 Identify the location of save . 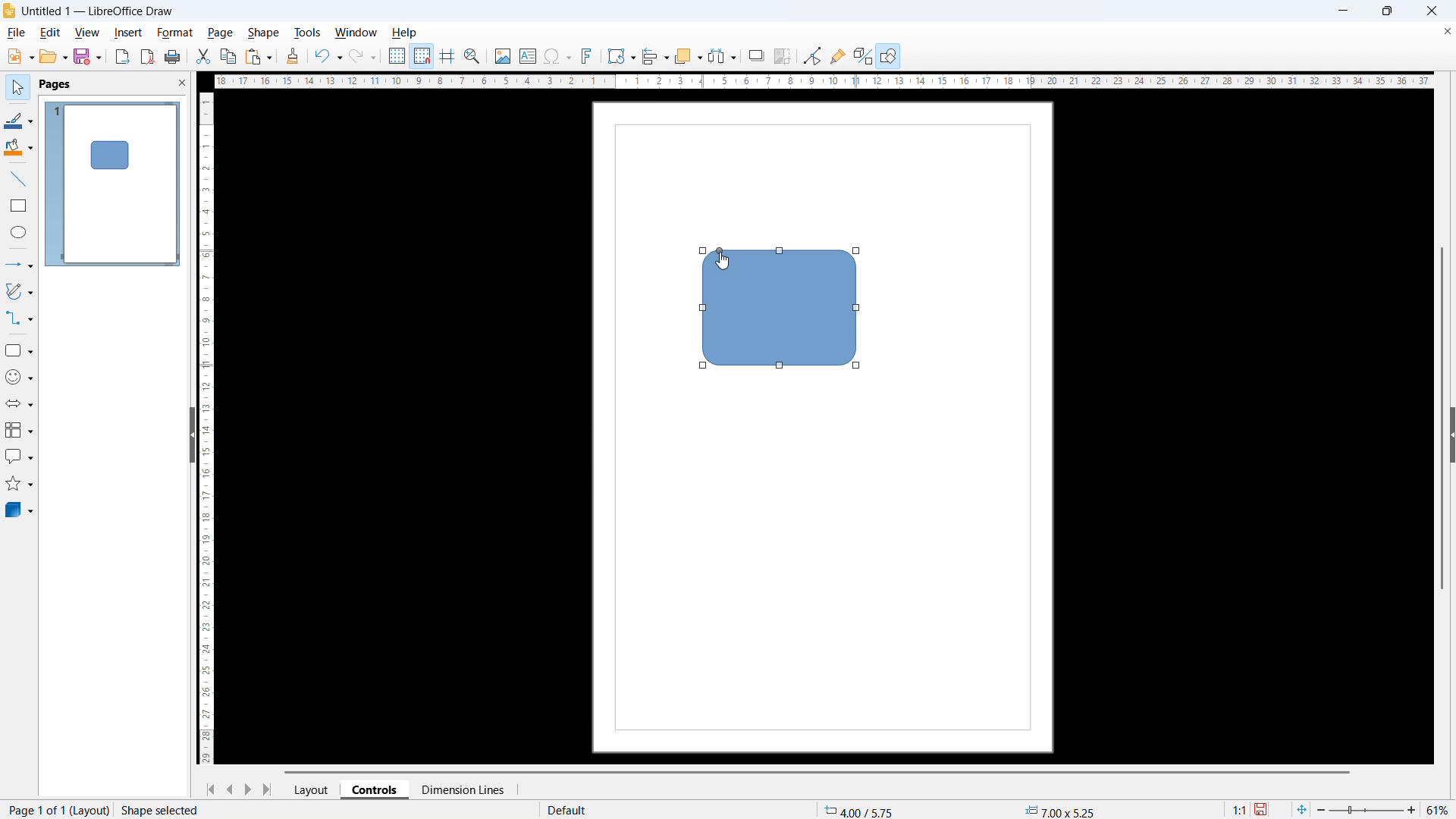
(87, 57).